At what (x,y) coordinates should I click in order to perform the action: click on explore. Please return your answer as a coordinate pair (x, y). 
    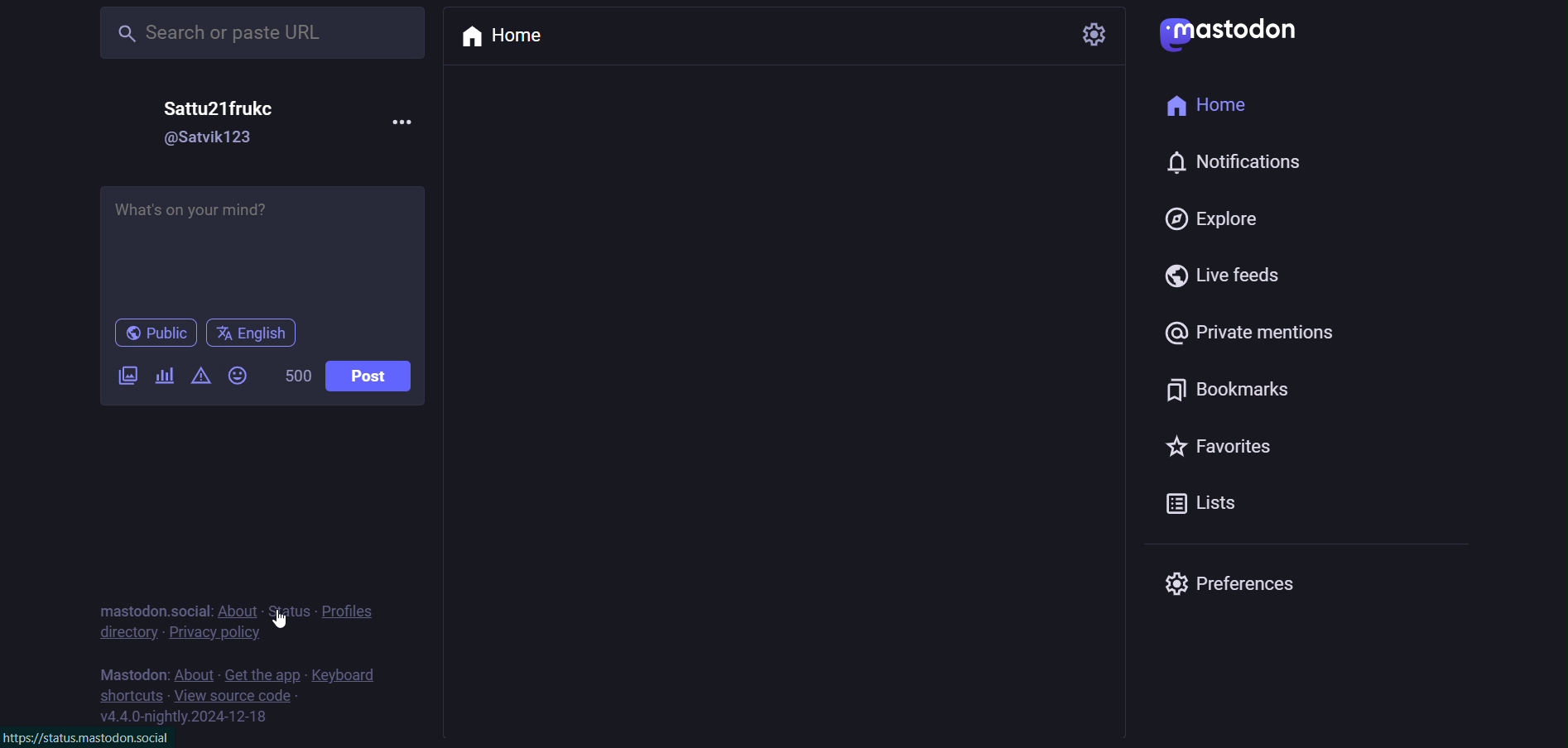
    Looking at the image, I should click on (1210, 220).